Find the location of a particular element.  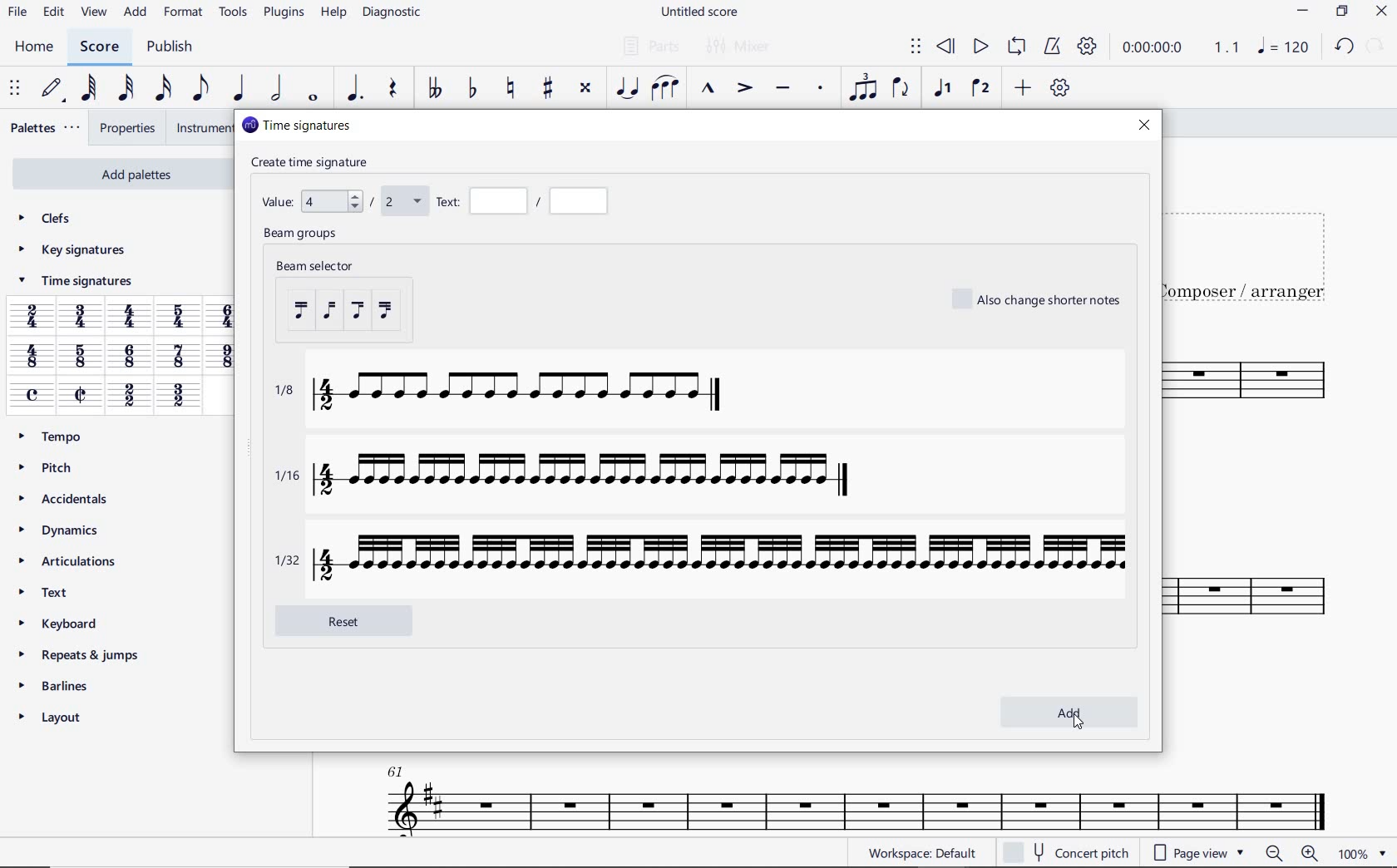

INSTRUMENT: TENOR SAXOPHONE is located at coordinates (1256, 502).